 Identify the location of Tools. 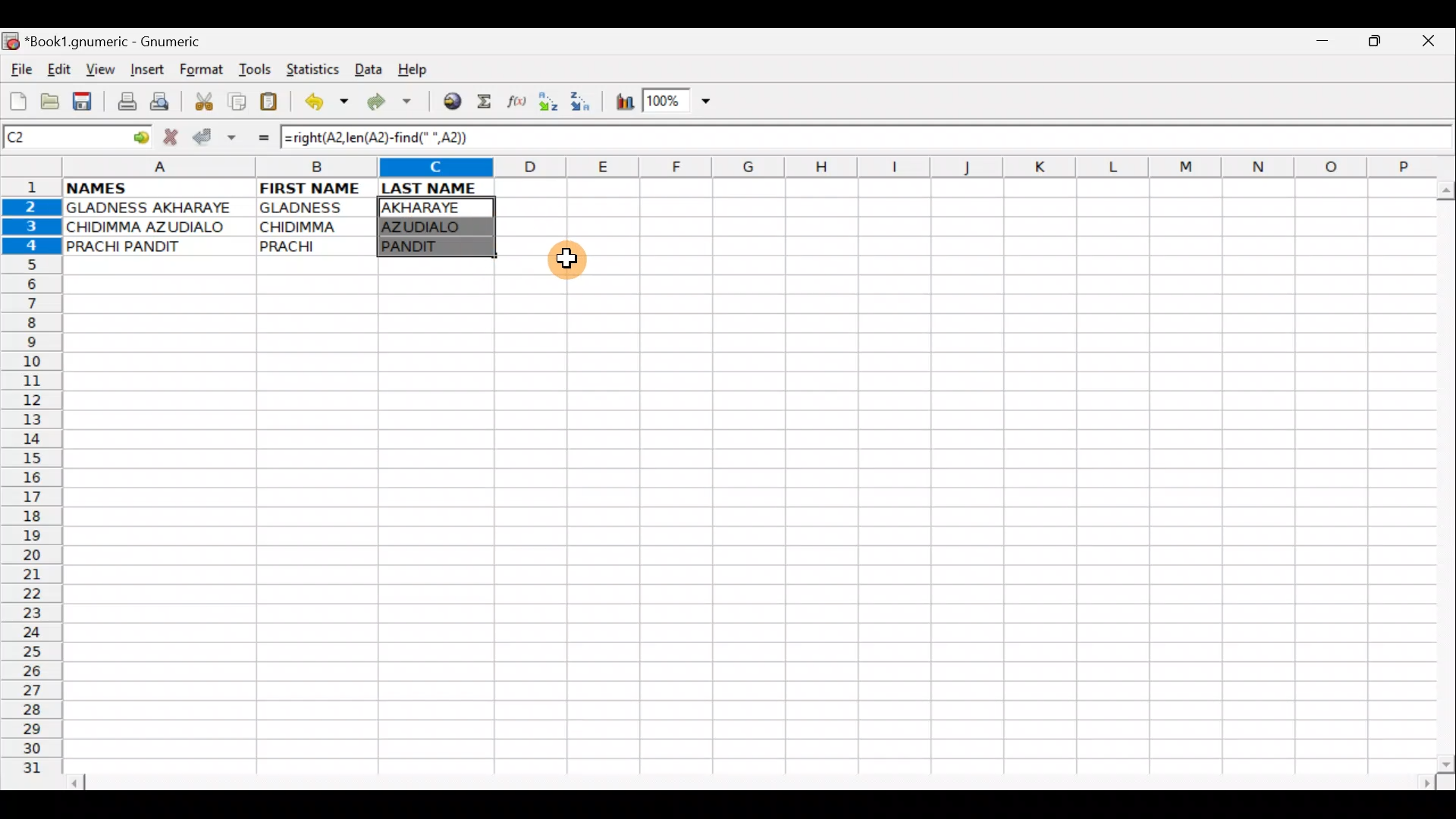
(256, 70).